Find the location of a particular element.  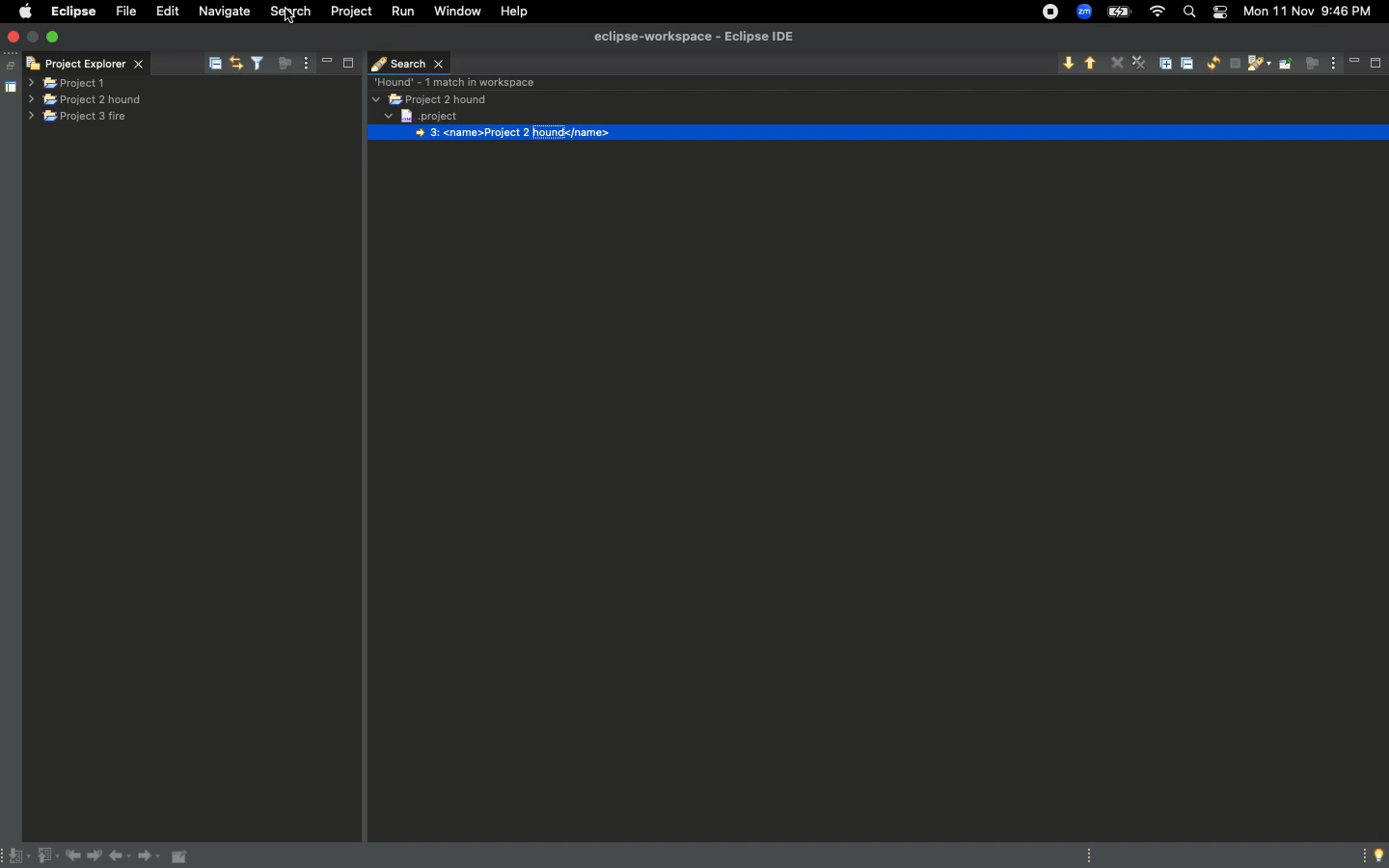

Recording is located at coordinates (1049, 14).